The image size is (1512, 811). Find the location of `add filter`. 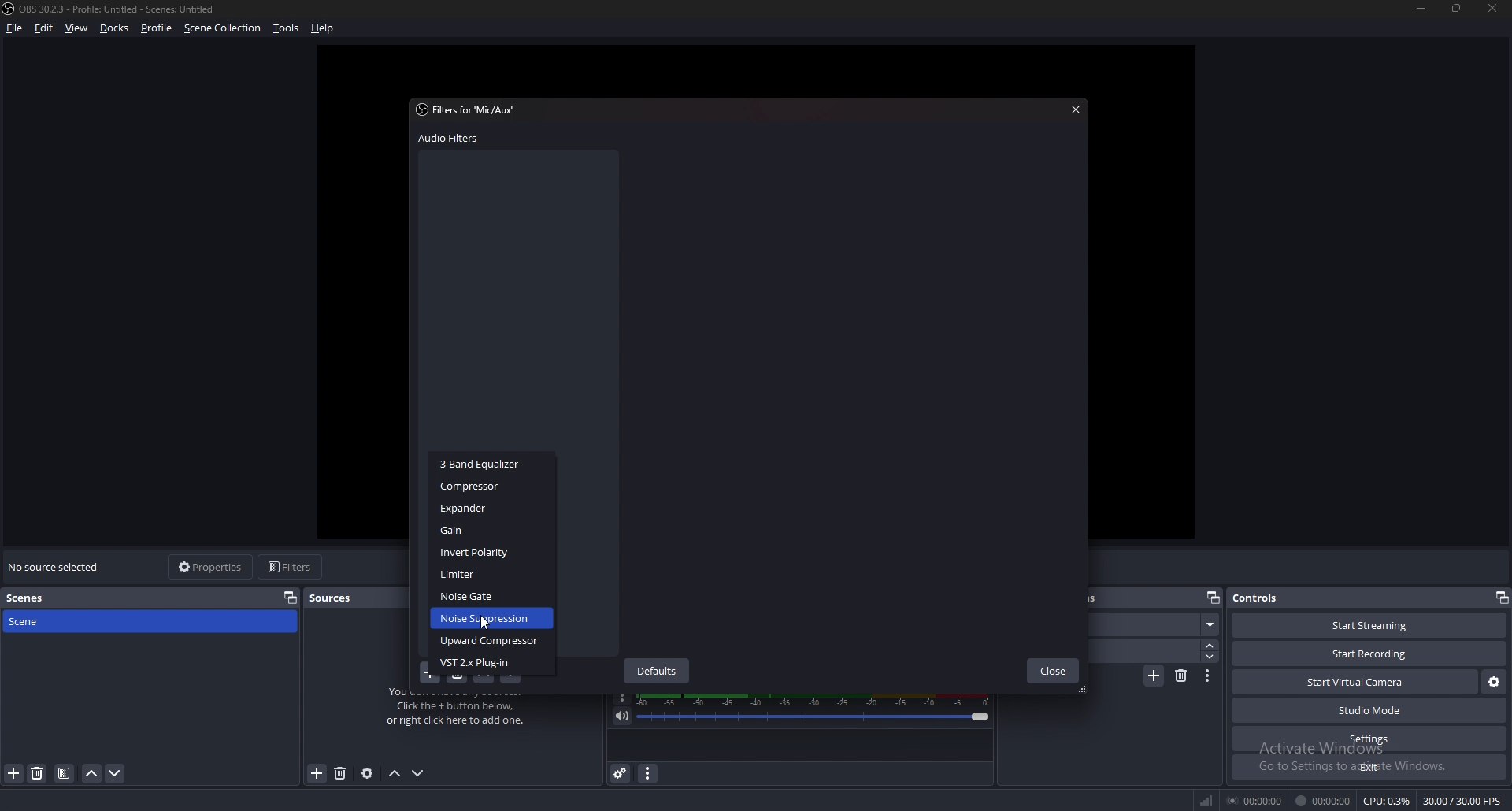

add filter is located at coordinates (431, 676).